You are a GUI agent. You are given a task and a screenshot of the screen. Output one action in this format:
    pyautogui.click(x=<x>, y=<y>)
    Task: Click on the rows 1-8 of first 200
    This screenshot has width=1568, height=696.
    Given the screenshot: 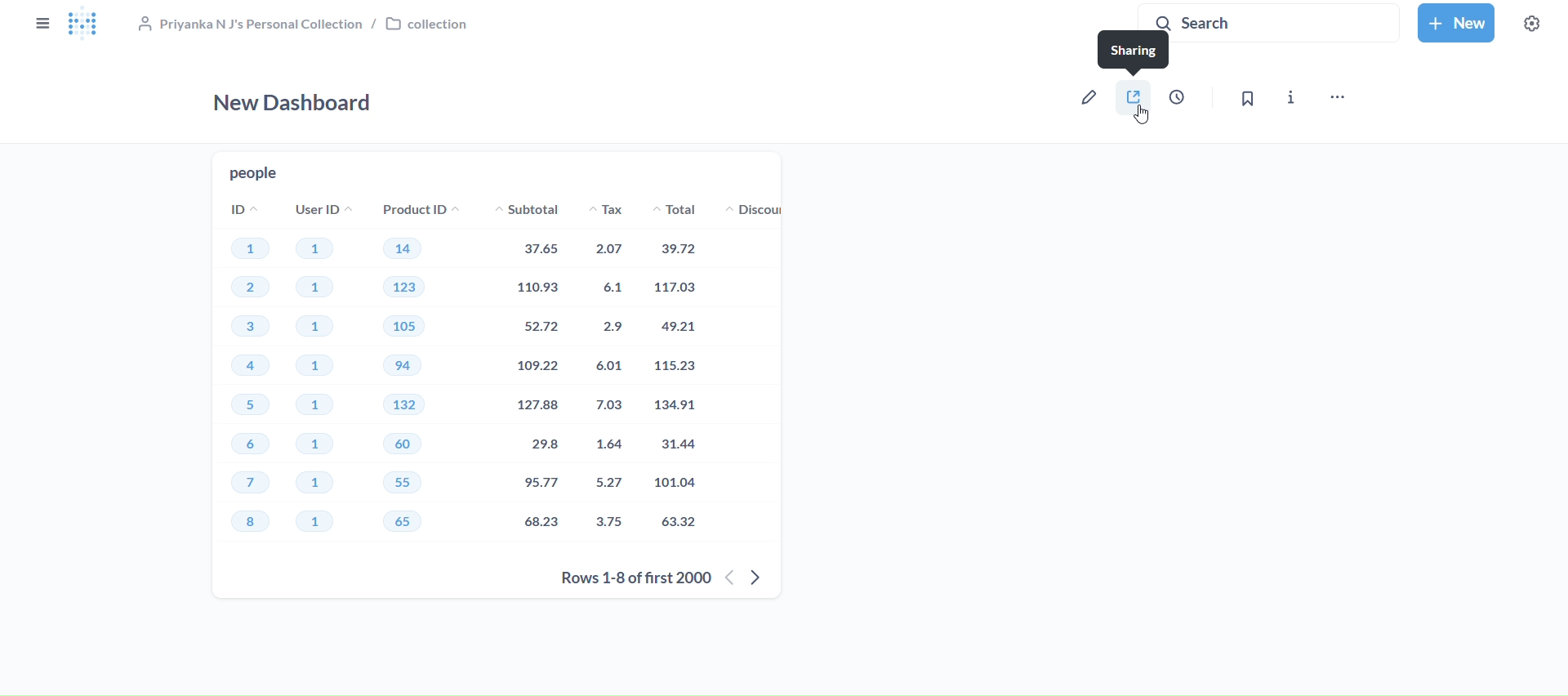 What is the action you would take?
    pyautogui.click(x=628, y=579)
    